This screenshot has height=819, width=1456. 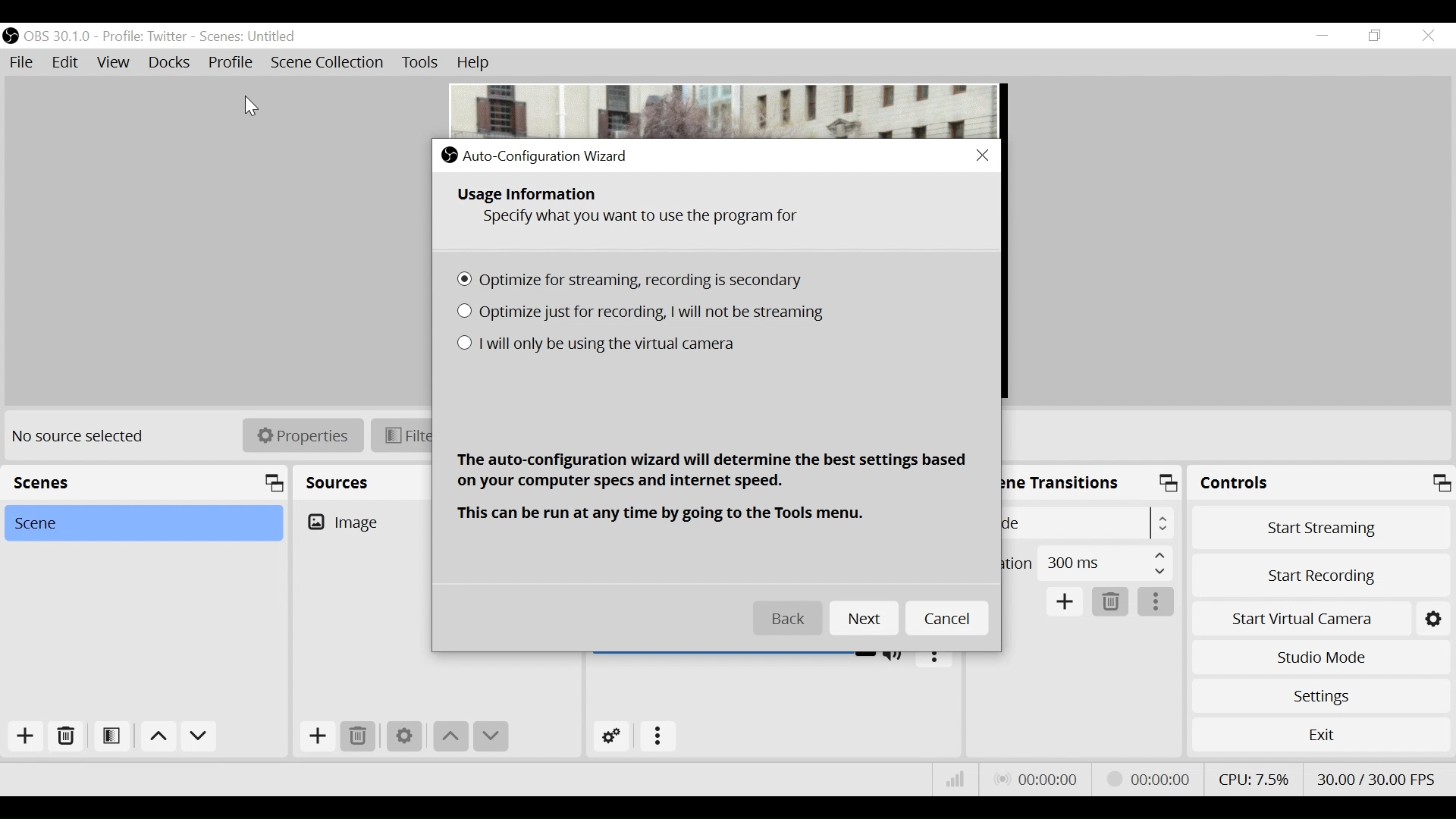 I want to click on Auto Configuration Wizard, so click(x=536, y=155).